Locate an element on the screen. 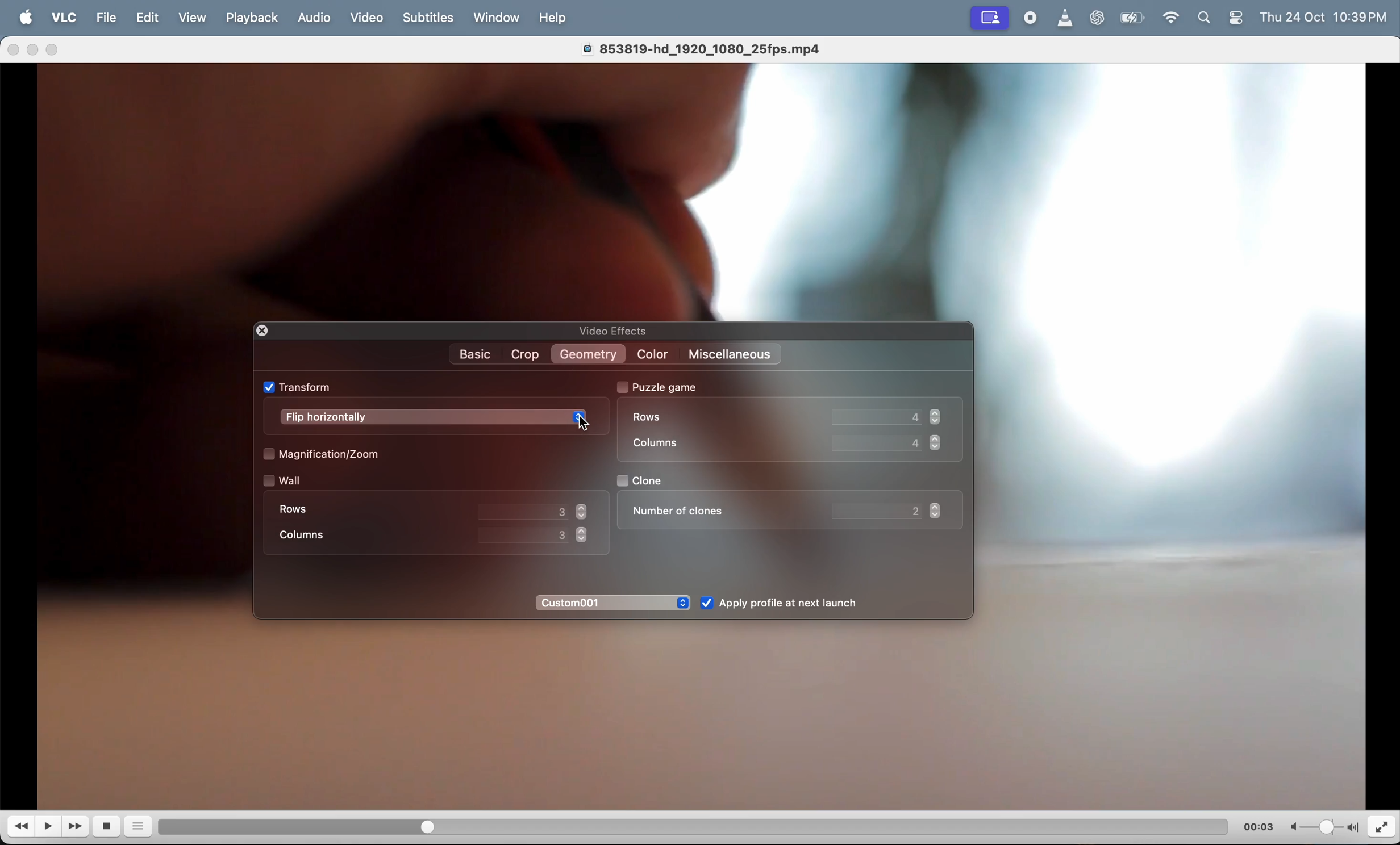 The image size is (1400, 845). check box is located at coordinates (264, 480).